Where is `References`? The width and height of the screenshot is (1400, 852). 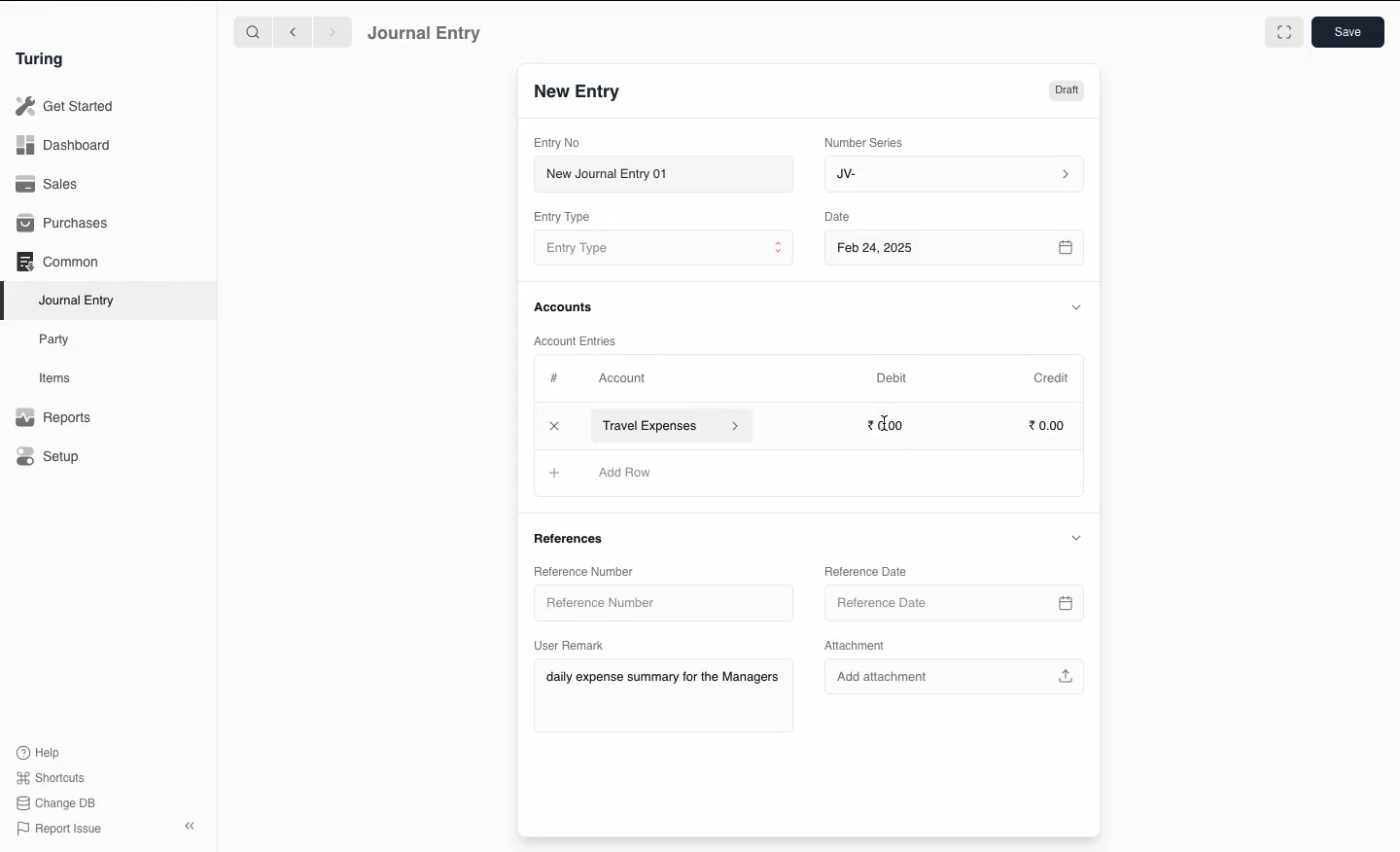 References is located at coordinates (577, 537).